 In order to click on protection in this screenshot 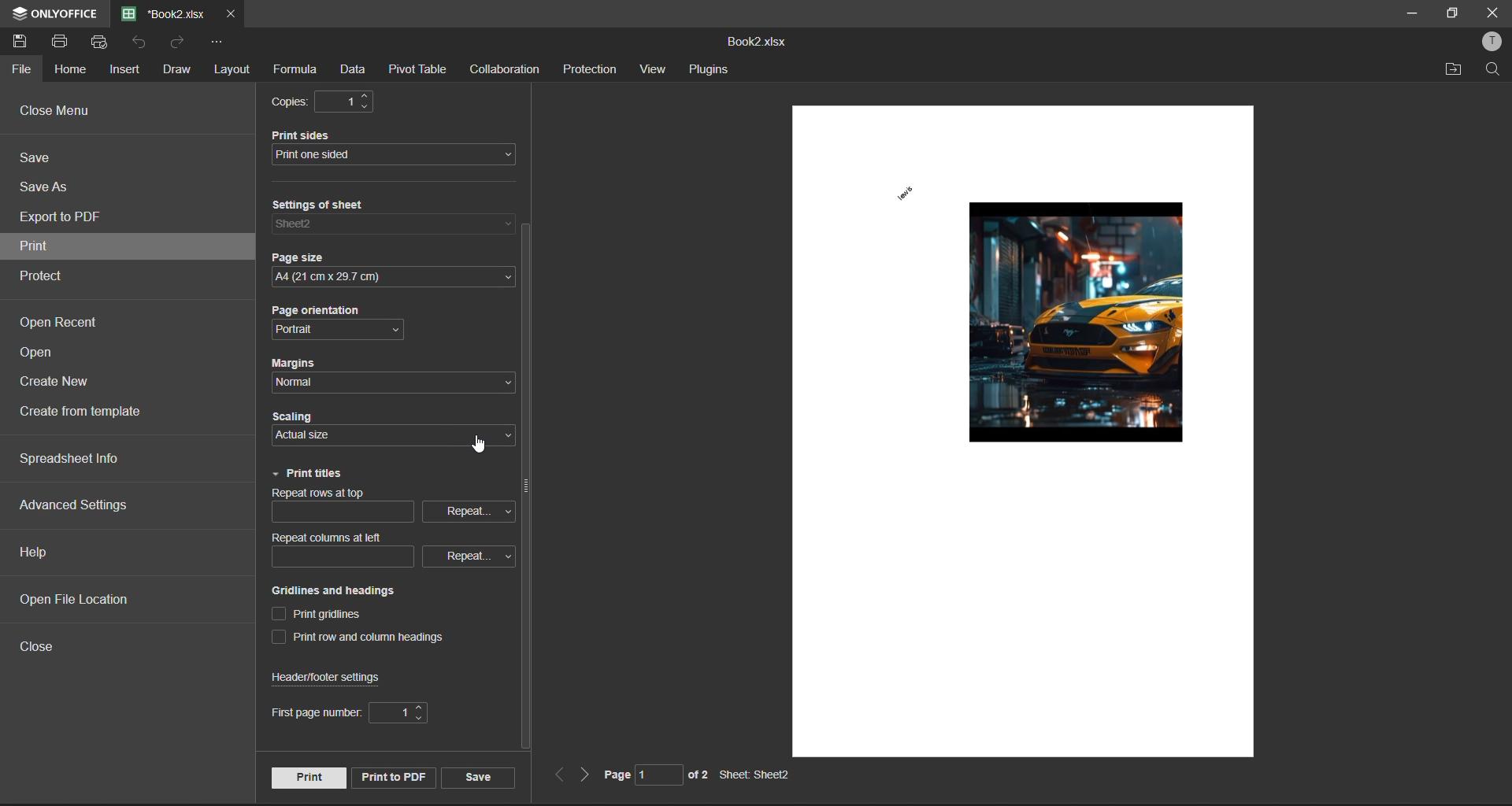, I will do `click(592, 69)`.